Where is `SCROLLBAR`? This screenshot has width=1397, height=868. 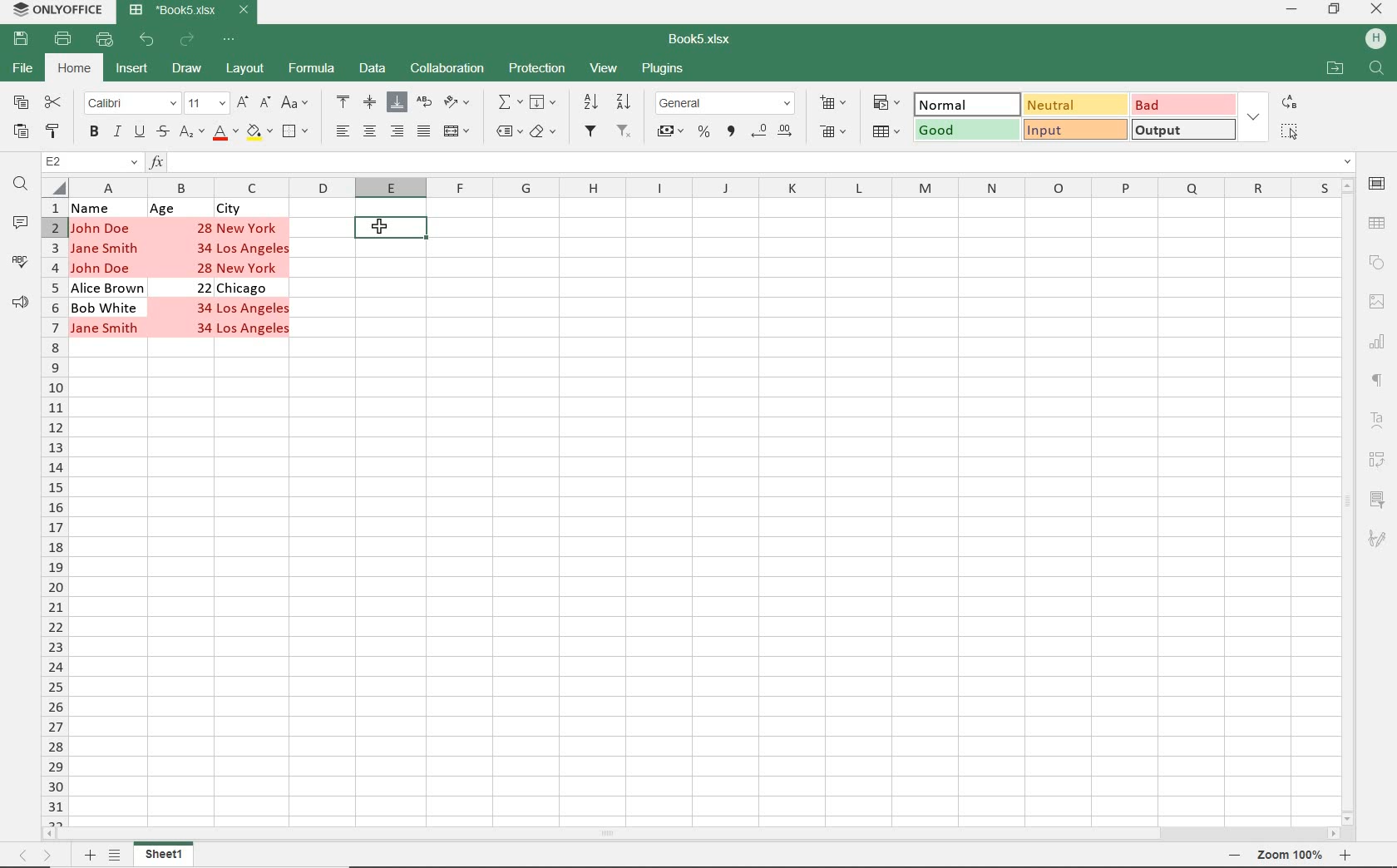
SCROLLBAR is located at coordinates (1346, 503).